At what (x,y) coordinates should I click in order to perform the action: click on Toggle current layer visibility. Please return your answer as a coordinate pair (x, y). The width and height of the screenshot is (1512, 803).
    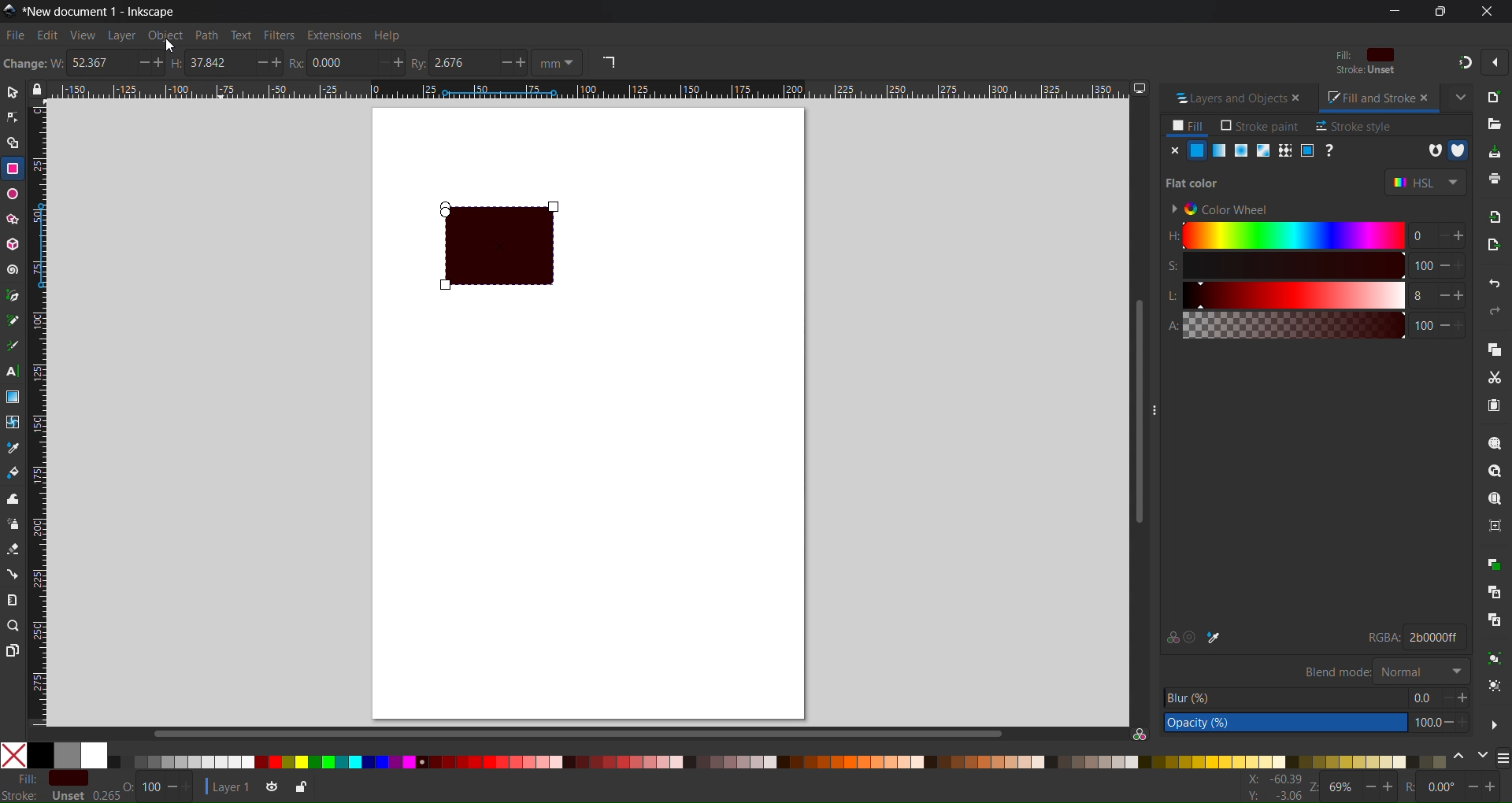
    Looking at the image, I should click on (269, 788).